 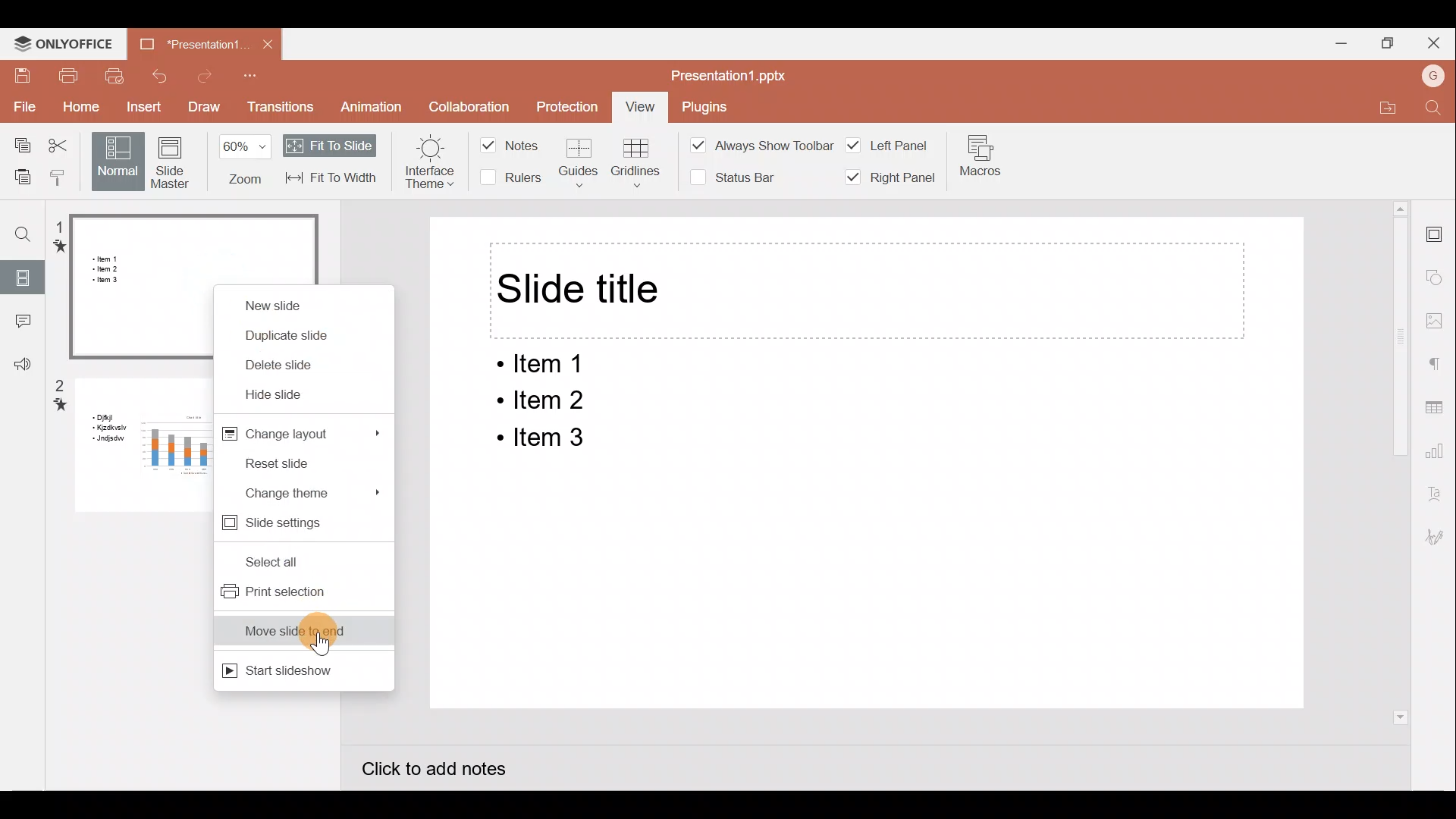 What do you see at coordinates (21, 326) in the screenshot?
I see `Comments` at bounding box center [21, 326].